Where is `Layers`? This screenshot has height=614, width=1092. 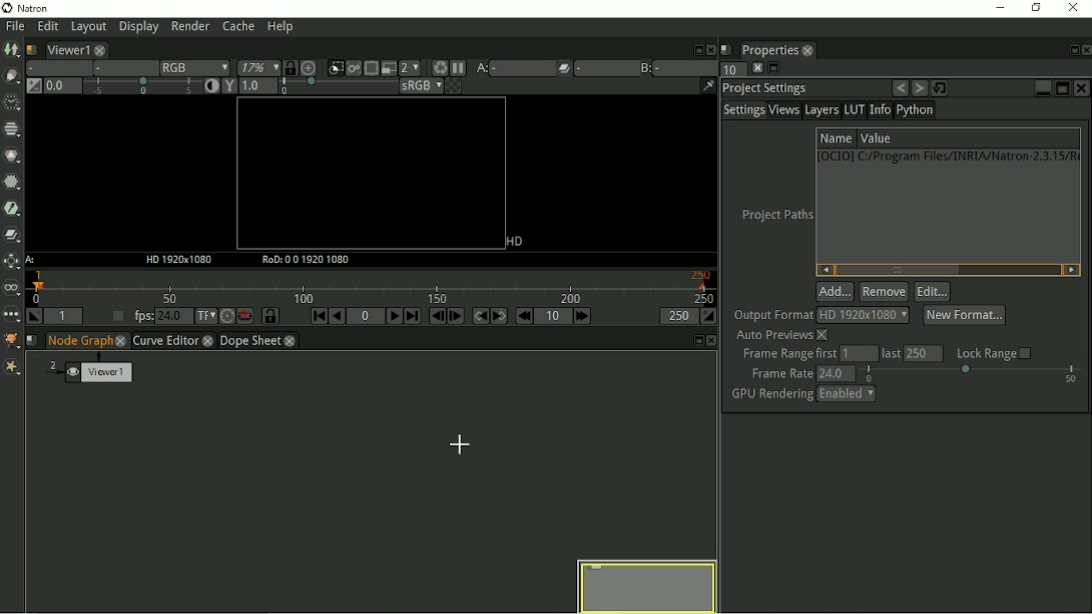 Layers is located at coordinates (821, 111).